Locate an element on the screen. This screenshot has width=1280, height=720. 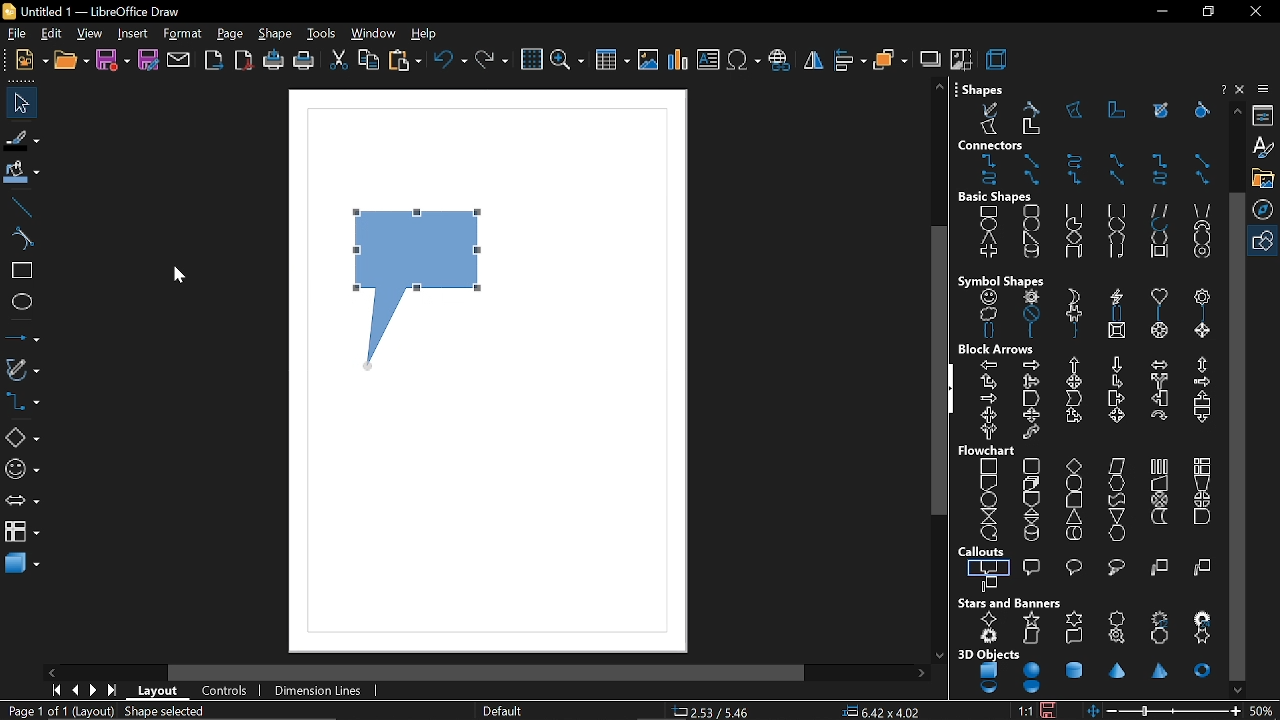
previous page is located at coordinates (72, 692).